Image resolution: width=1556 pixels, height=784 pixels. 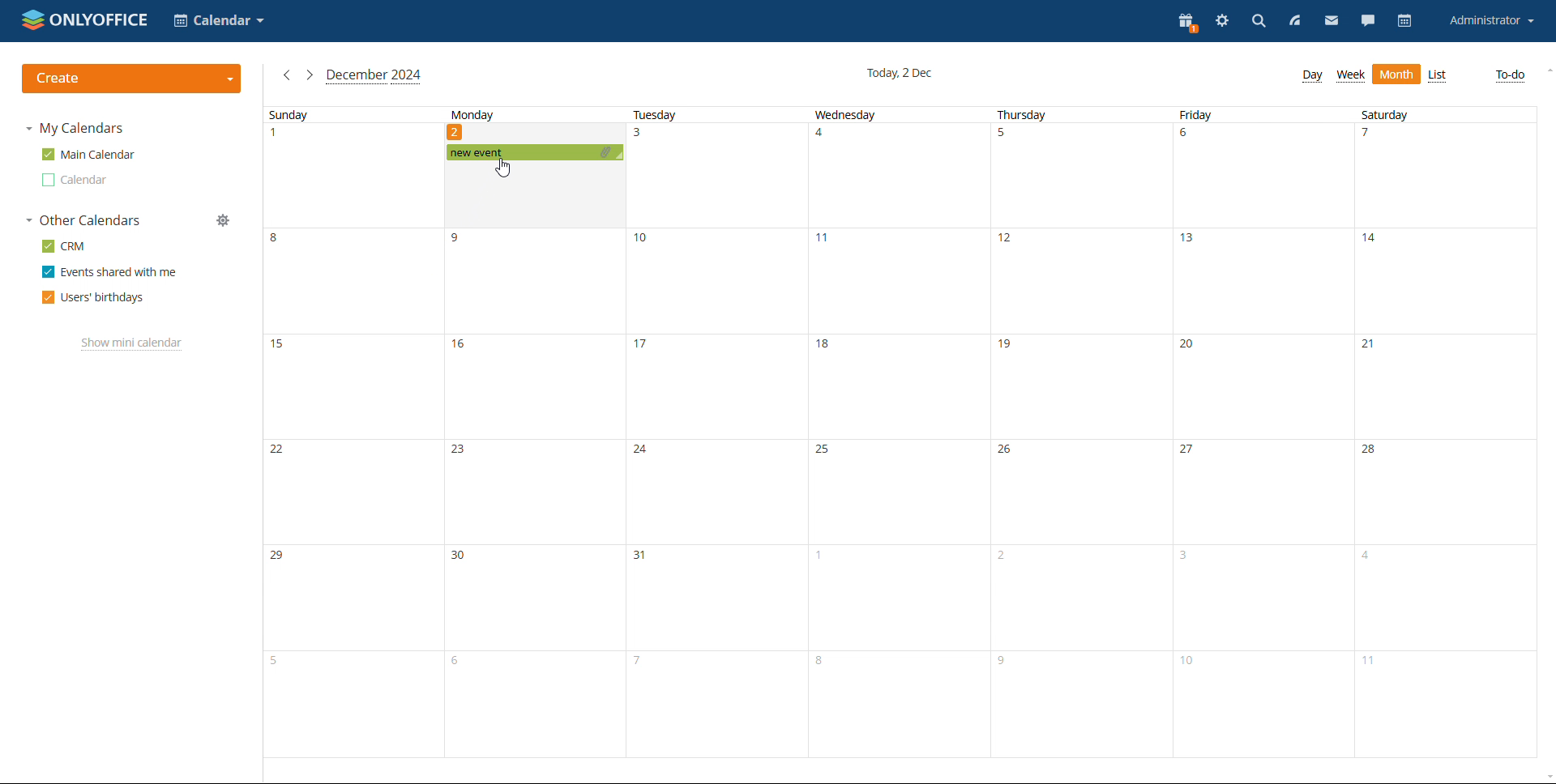 I want to click on Sunday, so click(x=288, y=115).